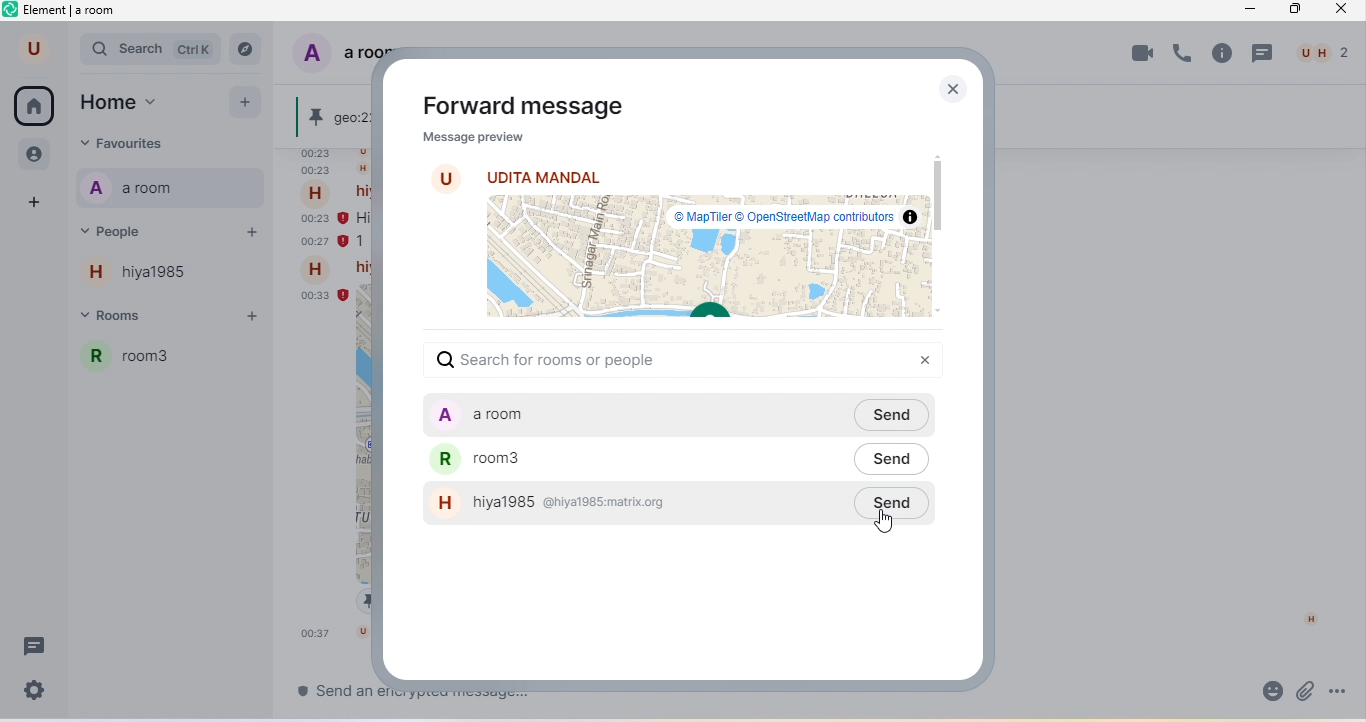  What do you see at coordinates (139, 189) in the screenshot?
I see `a room` at bounding box center [139, 189].